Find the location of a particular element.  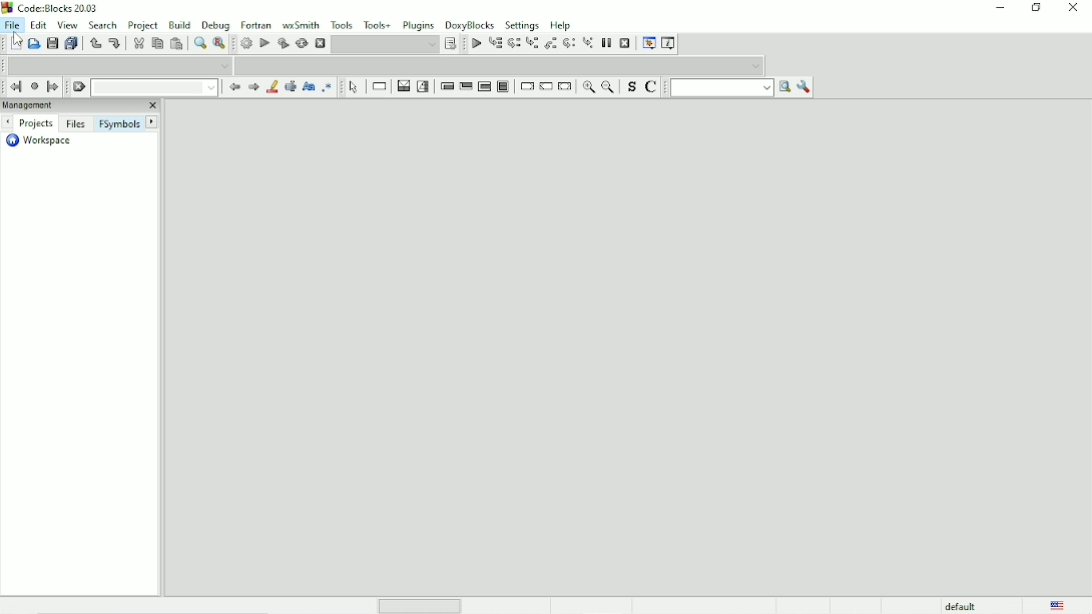

Jump back is located at coordinates (14, 86).